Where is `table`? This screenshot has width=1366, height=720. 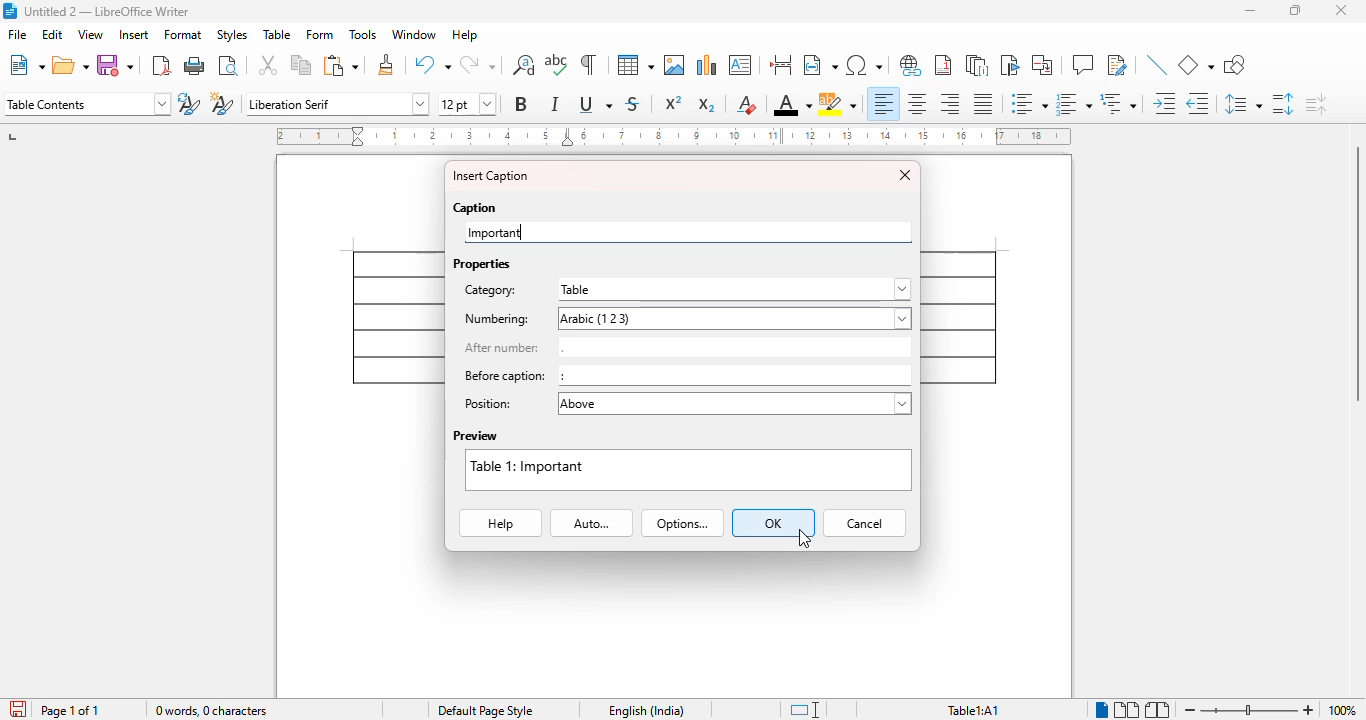 table is located at coordinates (636, 65).